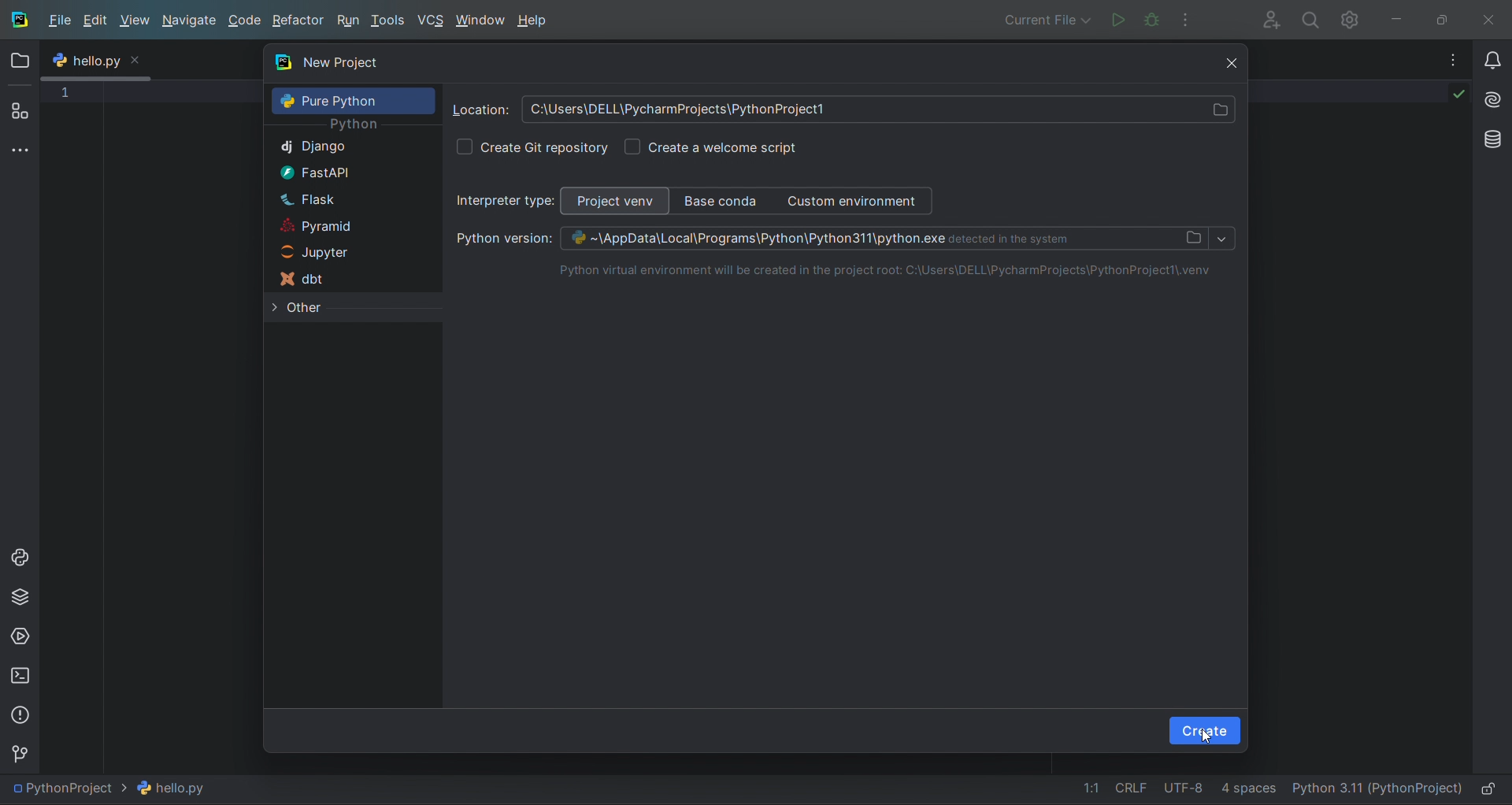 This screenshot has width=1512, height=805. What do you see at coordinates (24, 61) in the screenshot?
I see `folder window` at bounding box center [24, 61].